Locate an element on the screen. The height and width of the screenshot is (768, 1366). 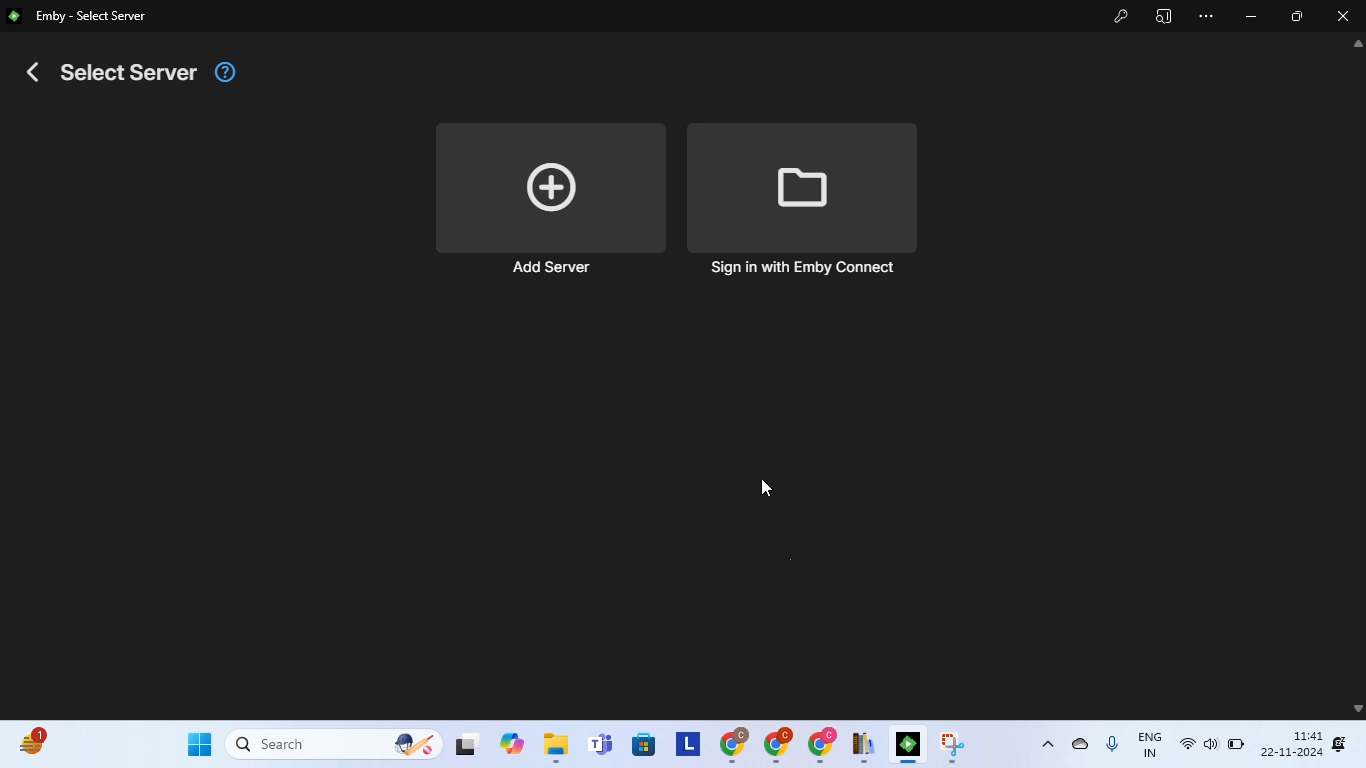
maximize is located at coordinates (1297, 17).